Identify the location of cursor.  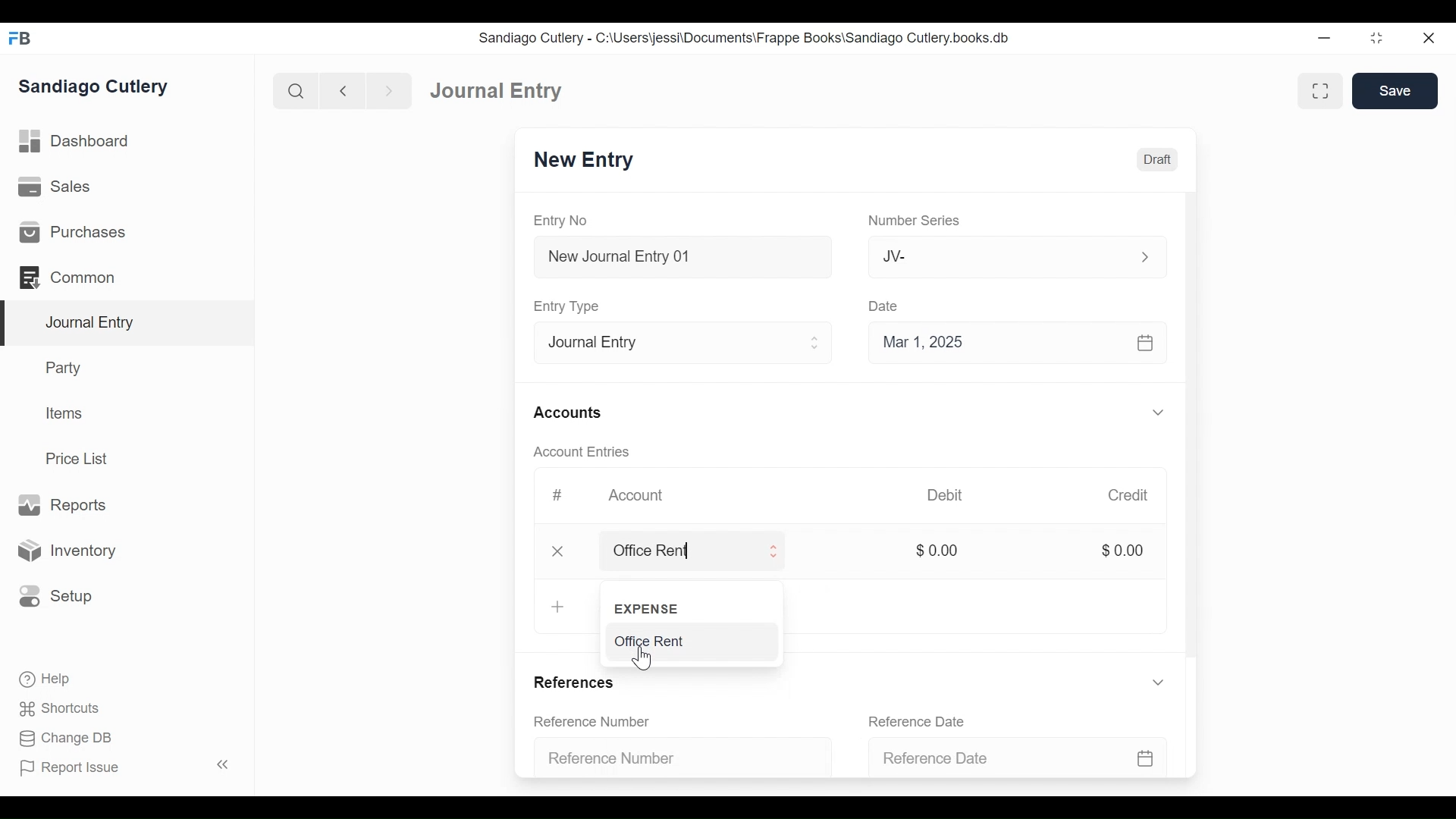
(609, 551).